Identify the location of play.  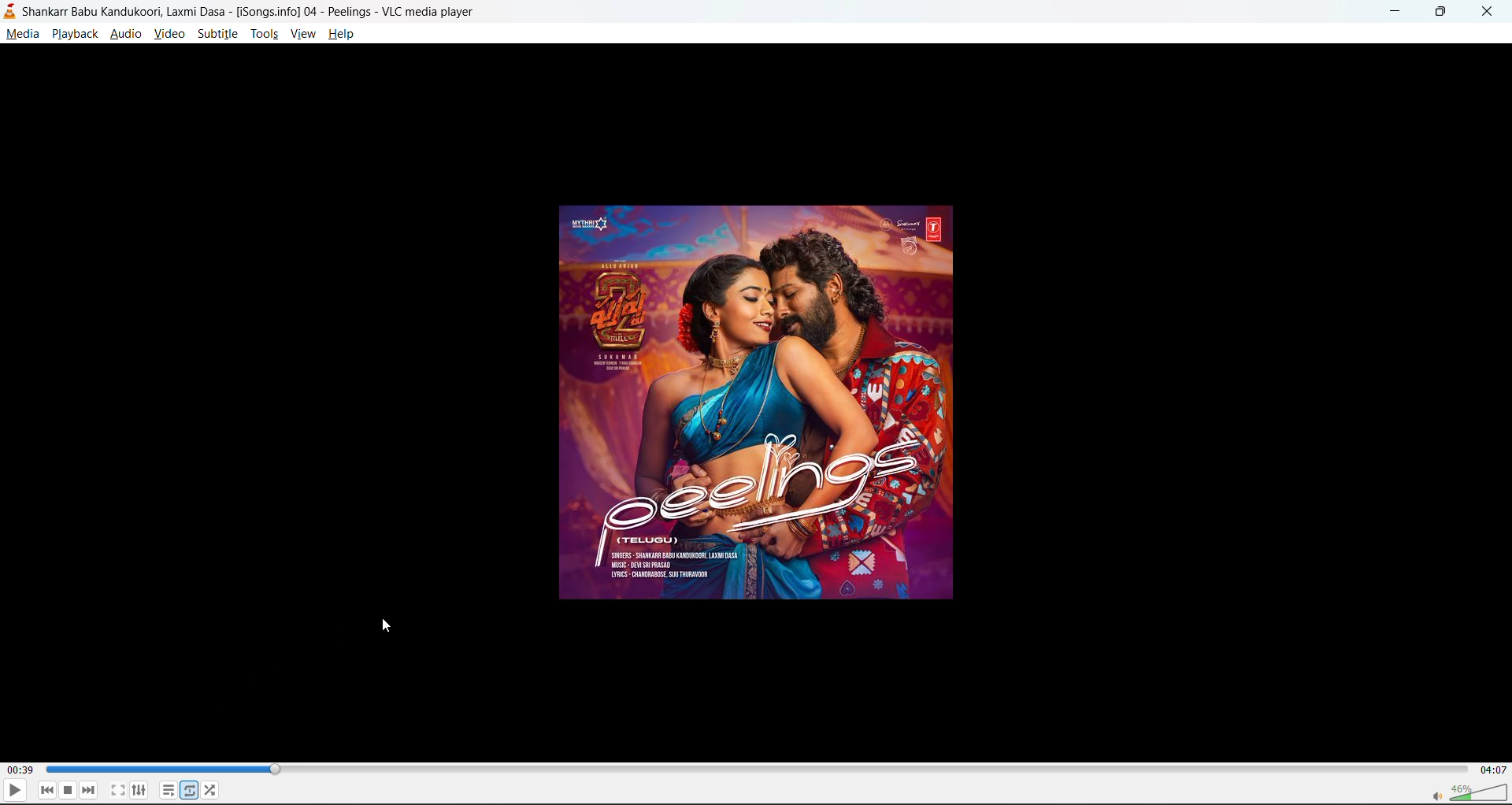
(15, 793).